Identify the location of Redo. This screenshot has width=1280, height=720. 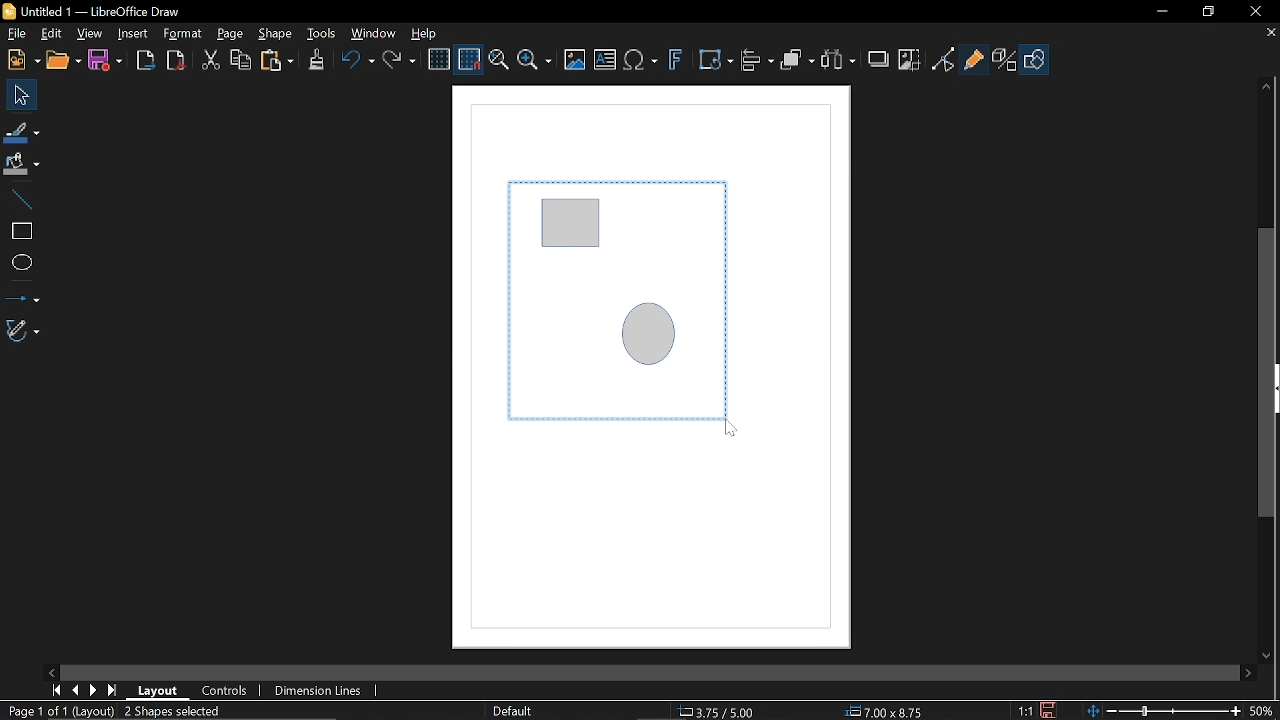
(401, 62).